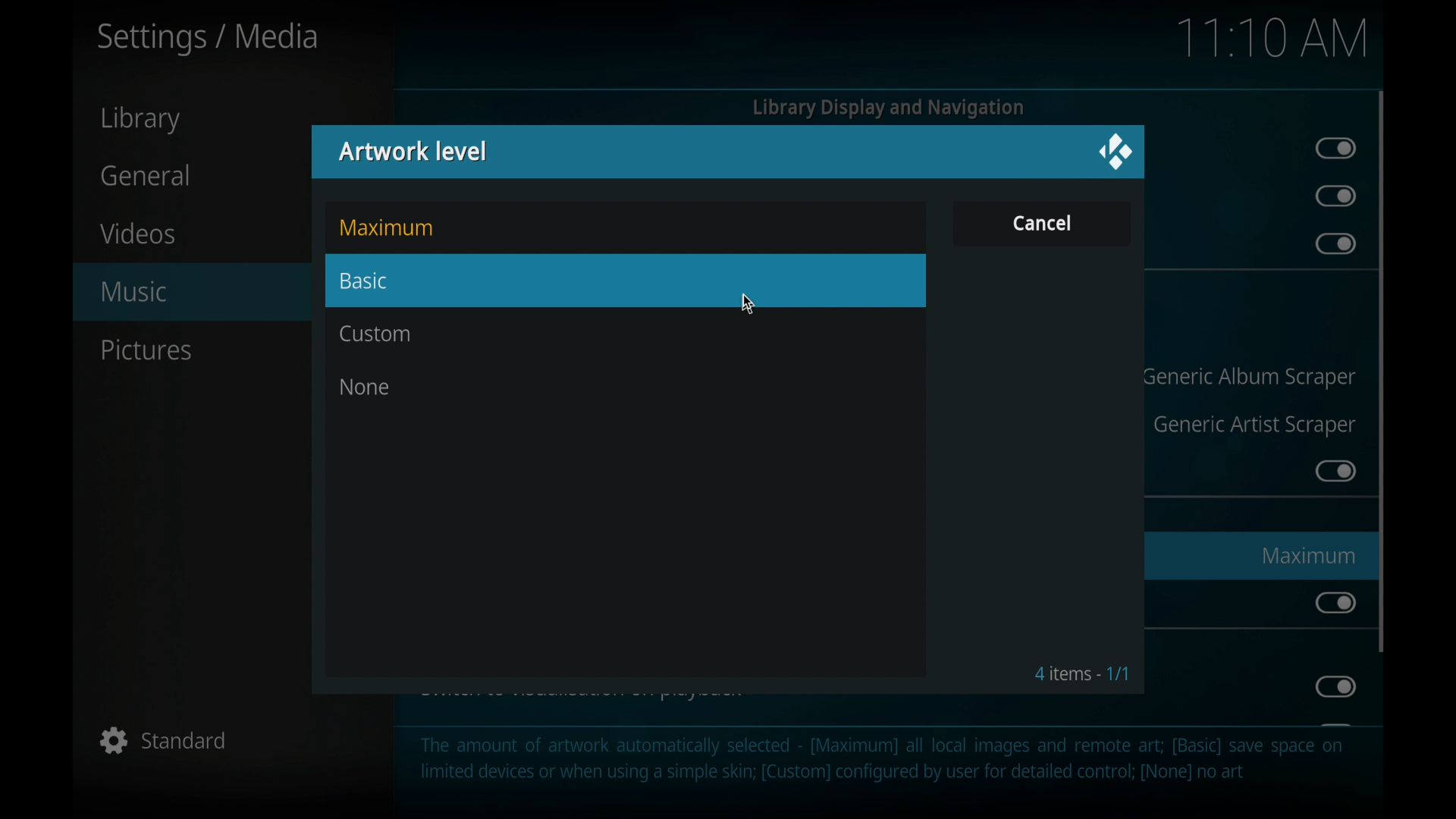  I want to click on toggle button, so click(1336, 148).